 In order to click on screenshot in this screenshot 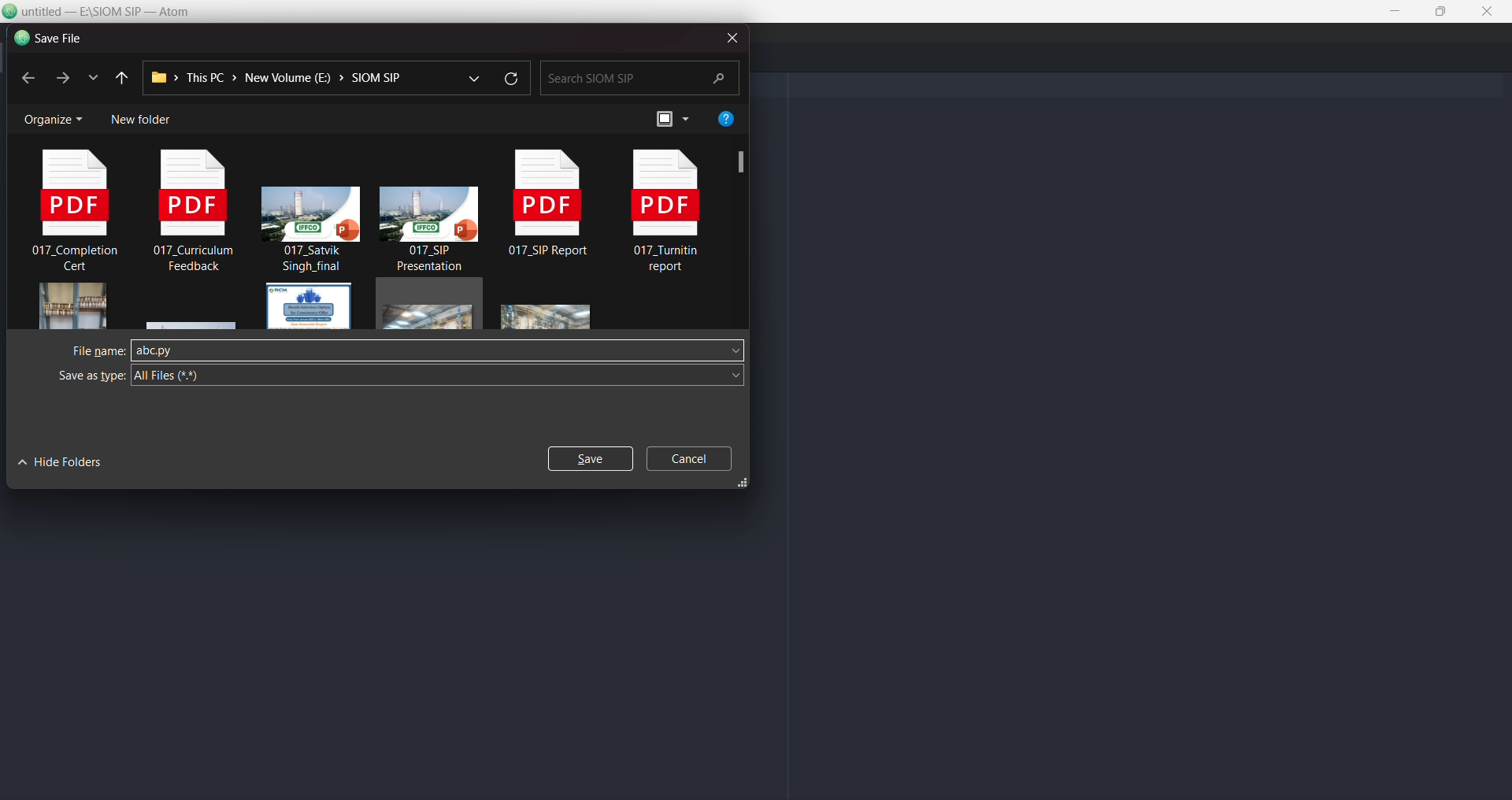, I will do `click(740, 158)`.